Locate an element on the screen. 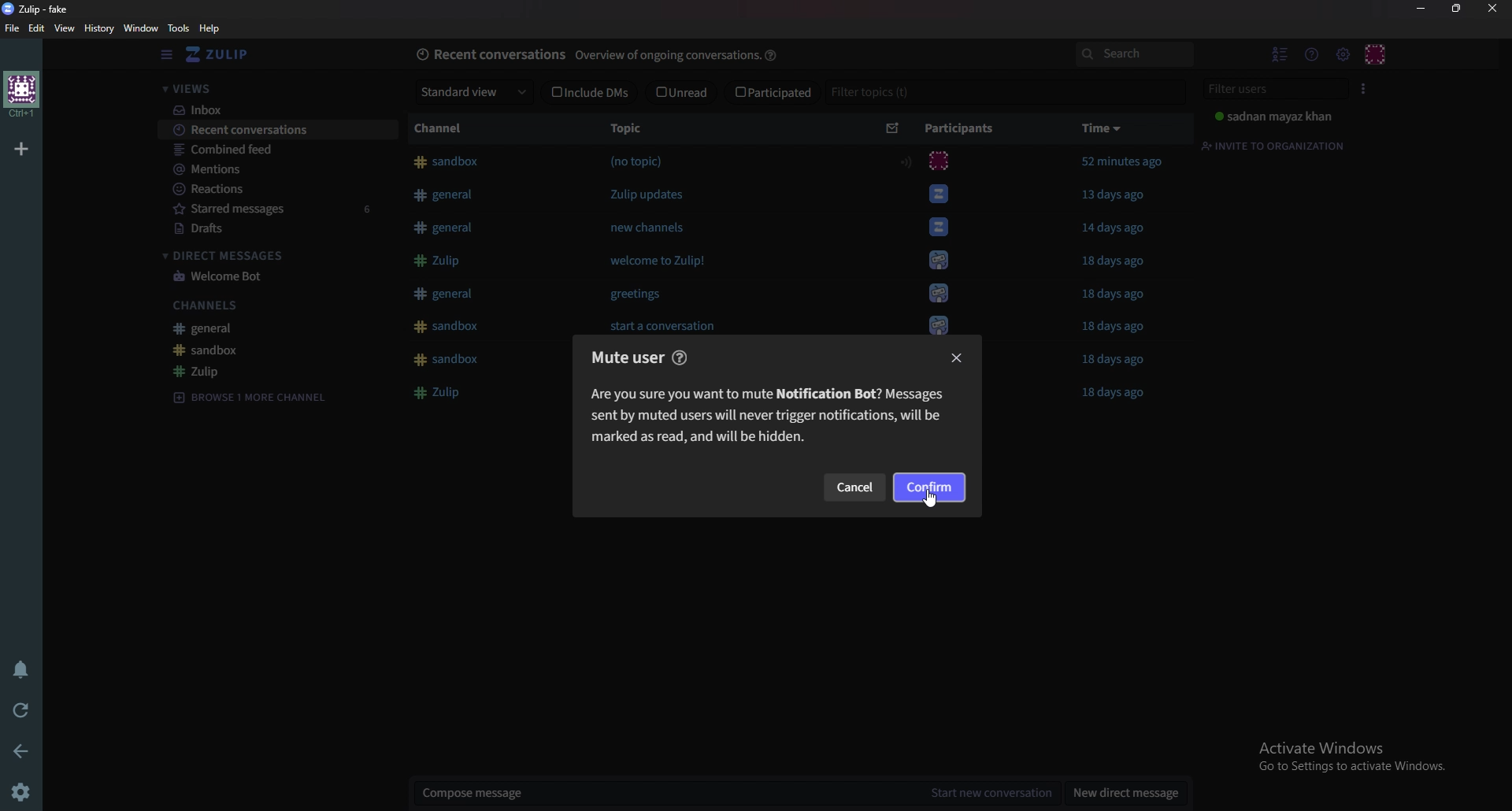 This screenshot has width=1512, height=811. 18 days ago is located at coordinates (1121, 262).